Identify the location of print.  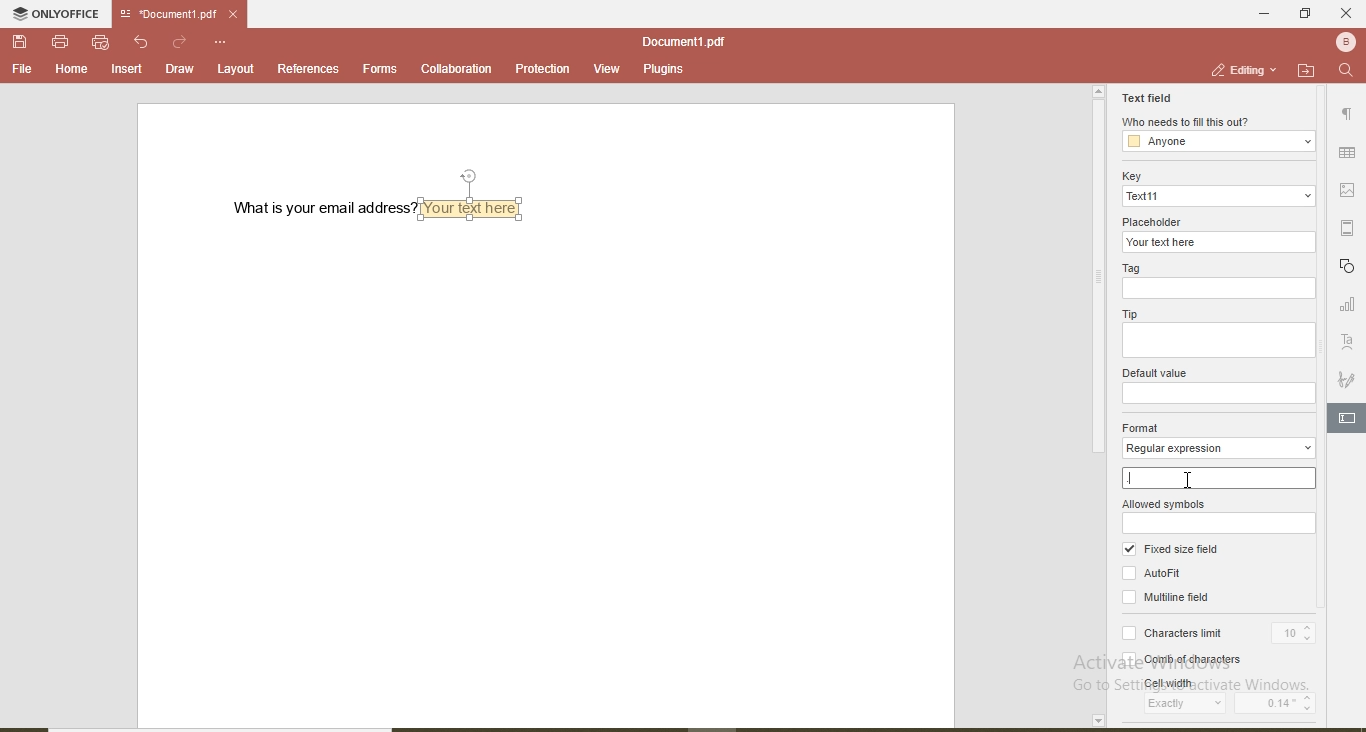
(60, 40).